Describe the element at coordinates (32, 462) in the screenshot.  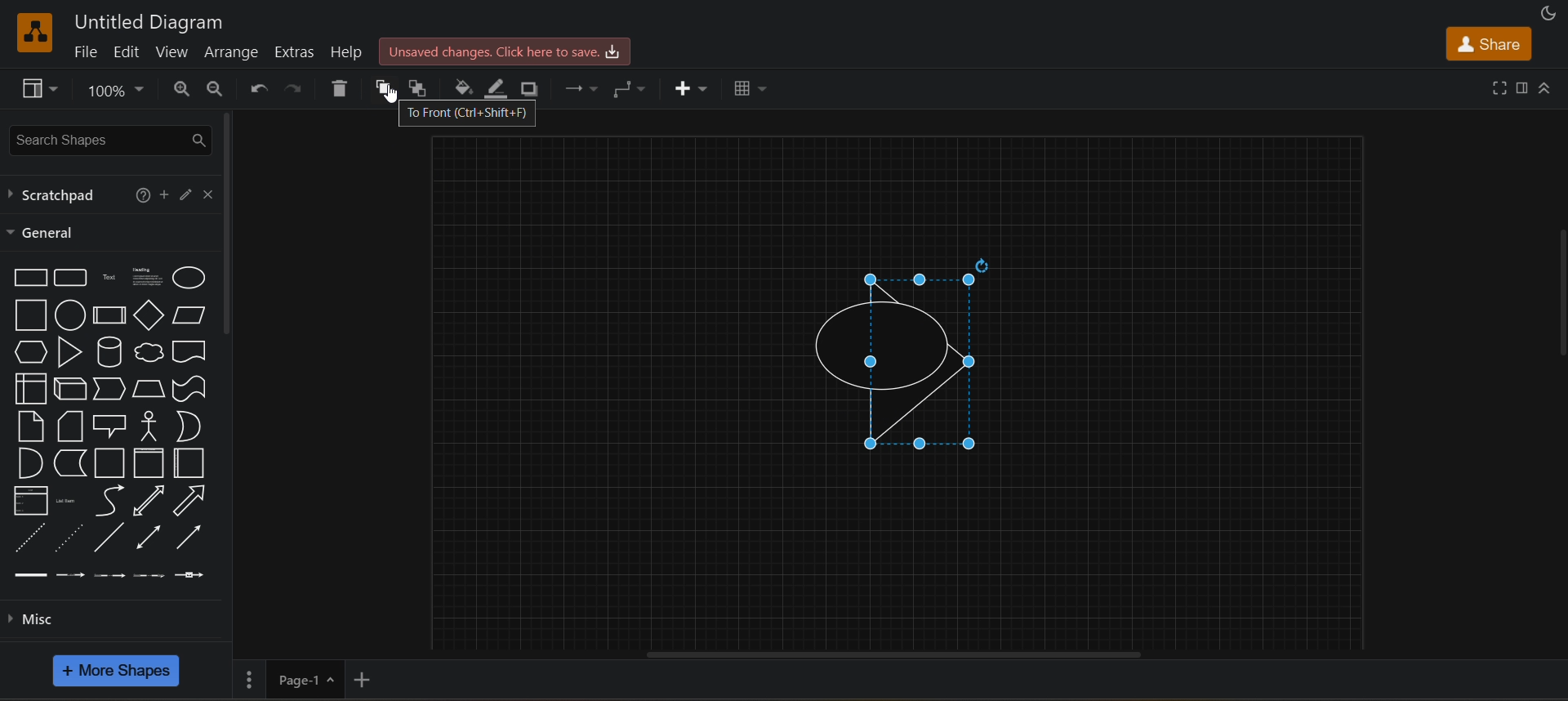
I see `and` at that location.